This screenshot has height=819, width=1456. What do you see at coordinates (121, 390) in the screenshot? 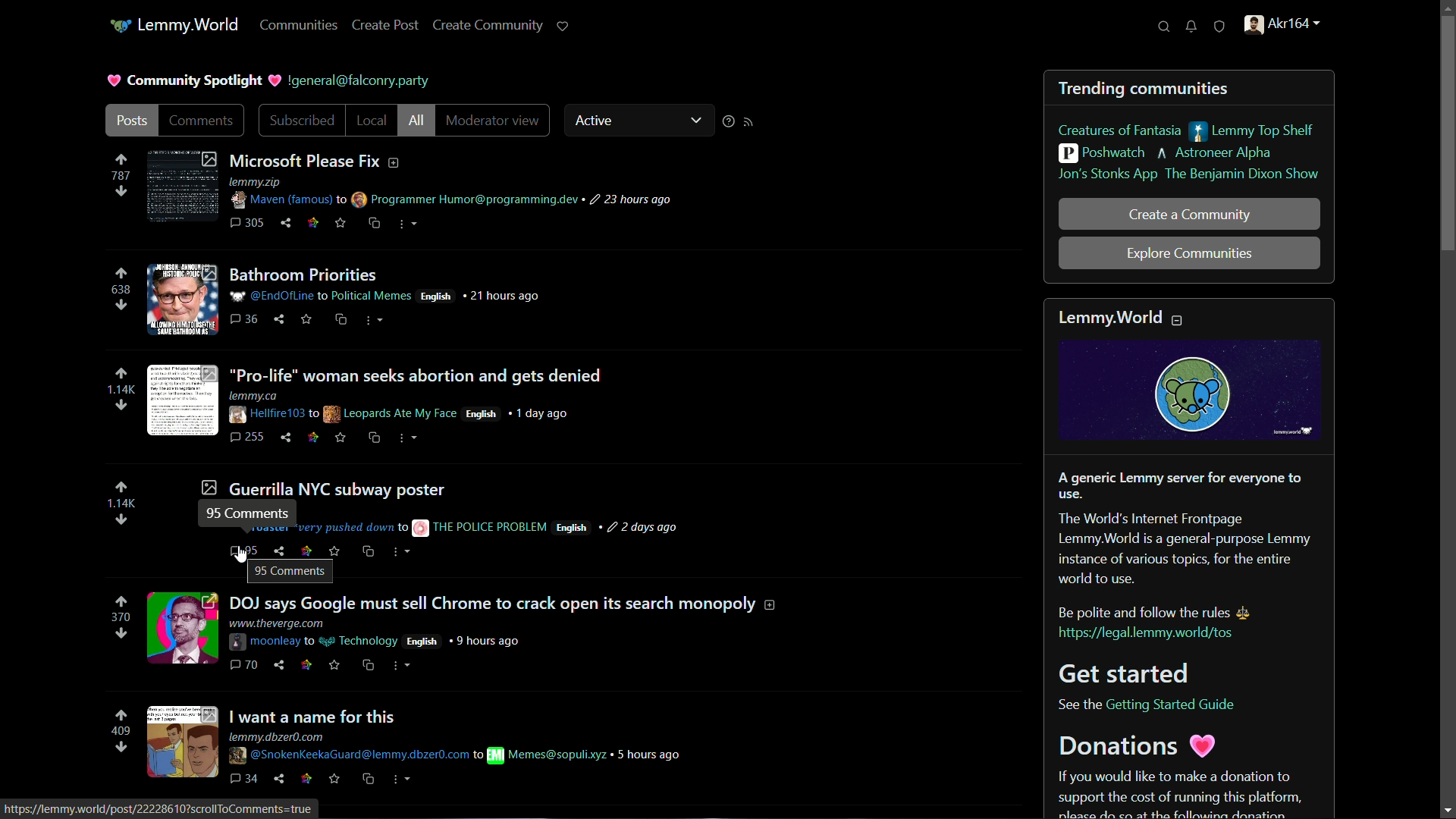
I see `number of votes` at bounding box center [121, 390].